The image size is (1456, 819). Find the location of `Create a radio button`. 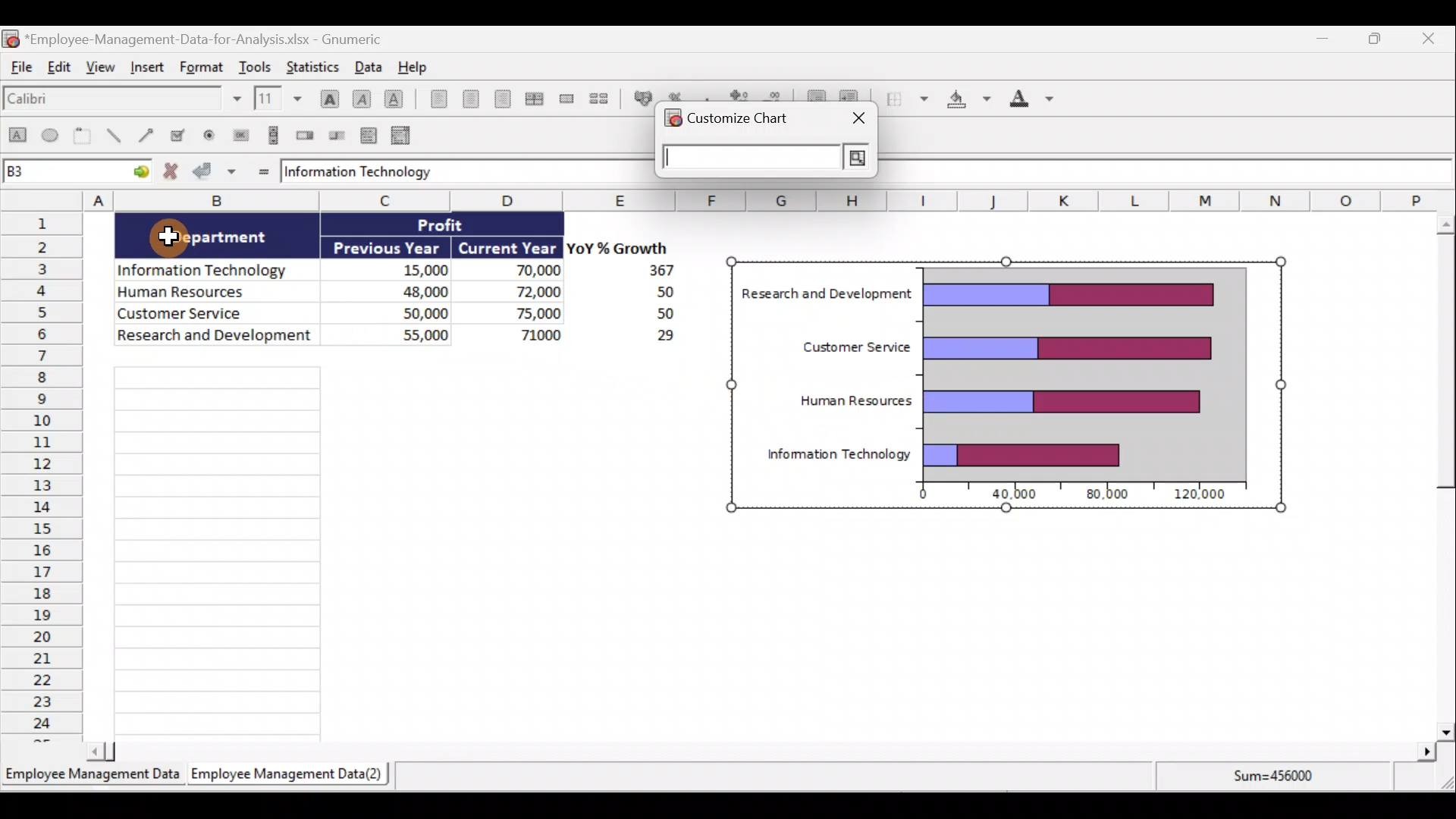

Create a radio button is located at coordinates (209, 136).